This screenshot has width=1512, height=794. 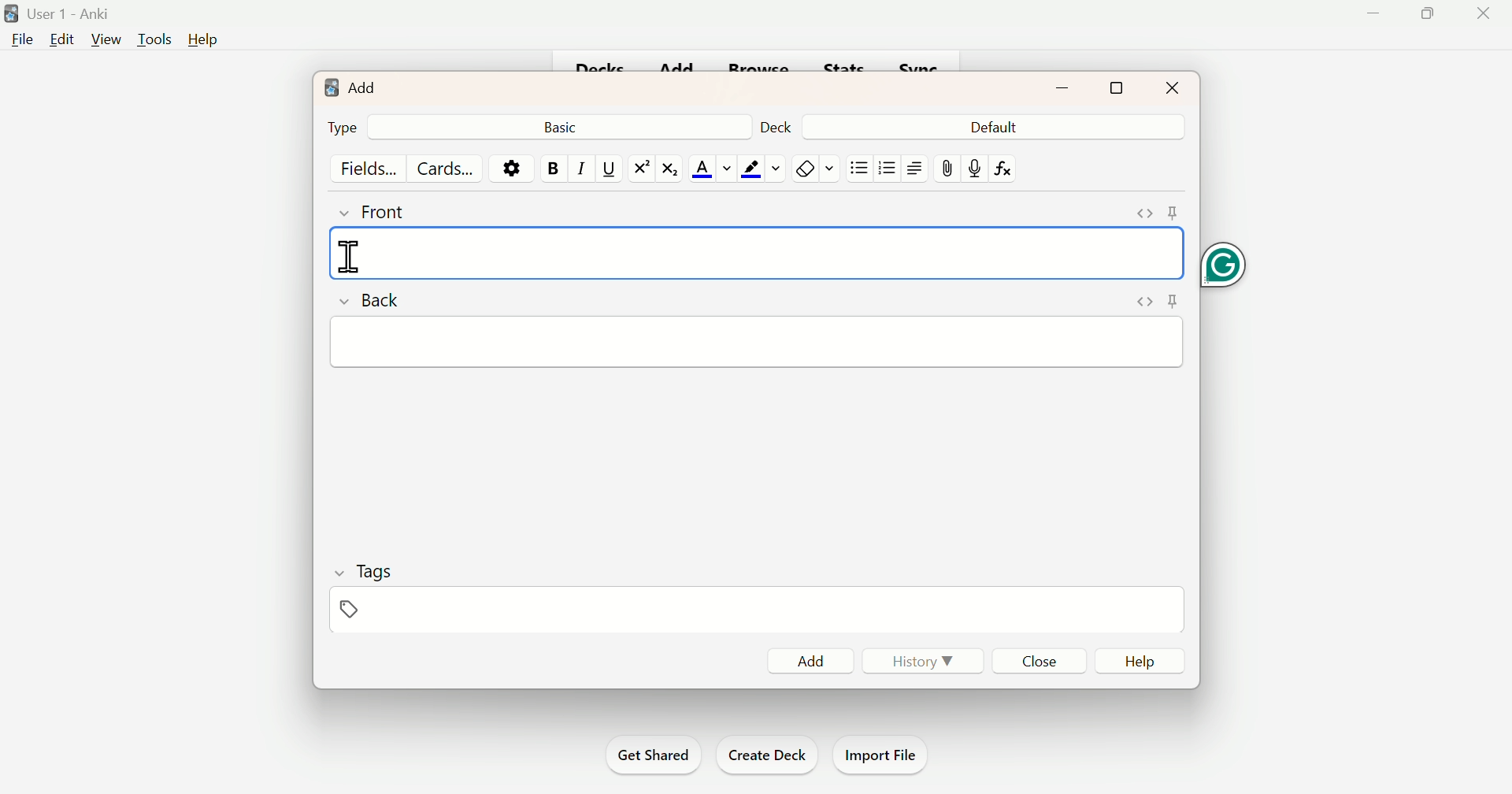 I want to click on Edit, so click(x=62, y=43).